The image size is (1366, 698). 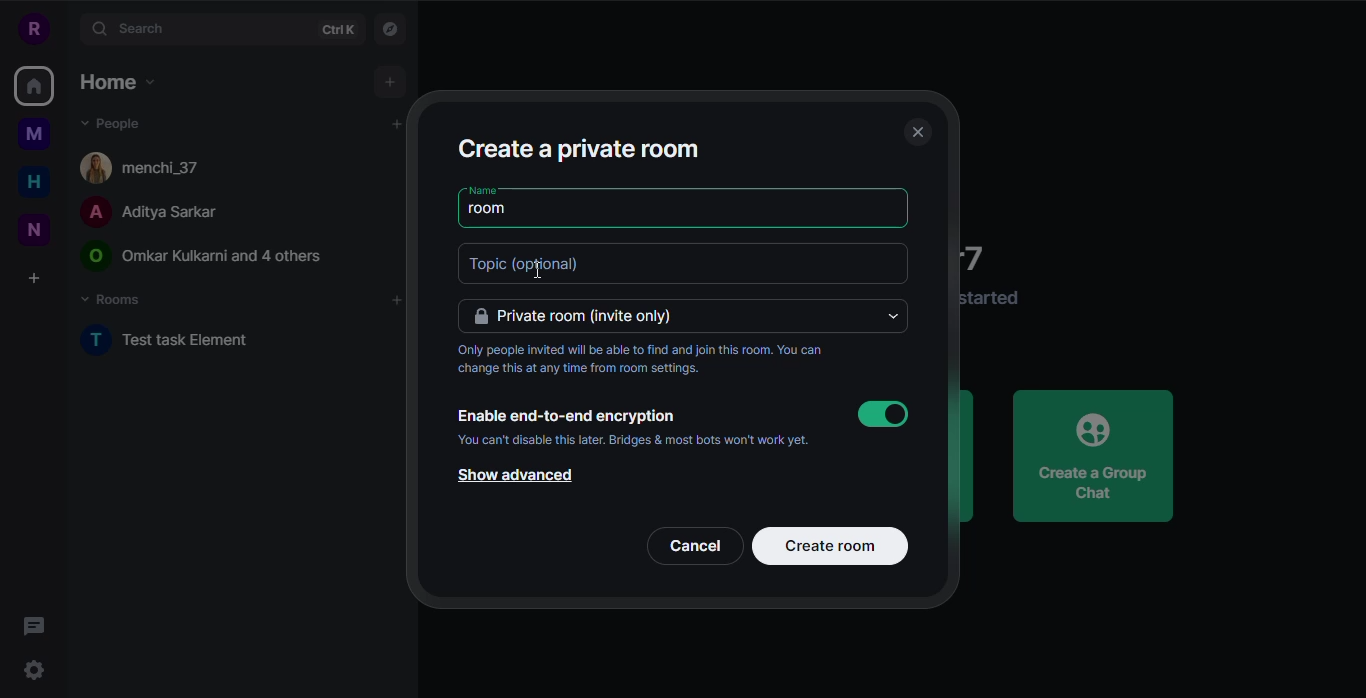 What do you see at coordinates (39, 626) in the screenshot?
I see `threads` at bounding box center [39, 626].